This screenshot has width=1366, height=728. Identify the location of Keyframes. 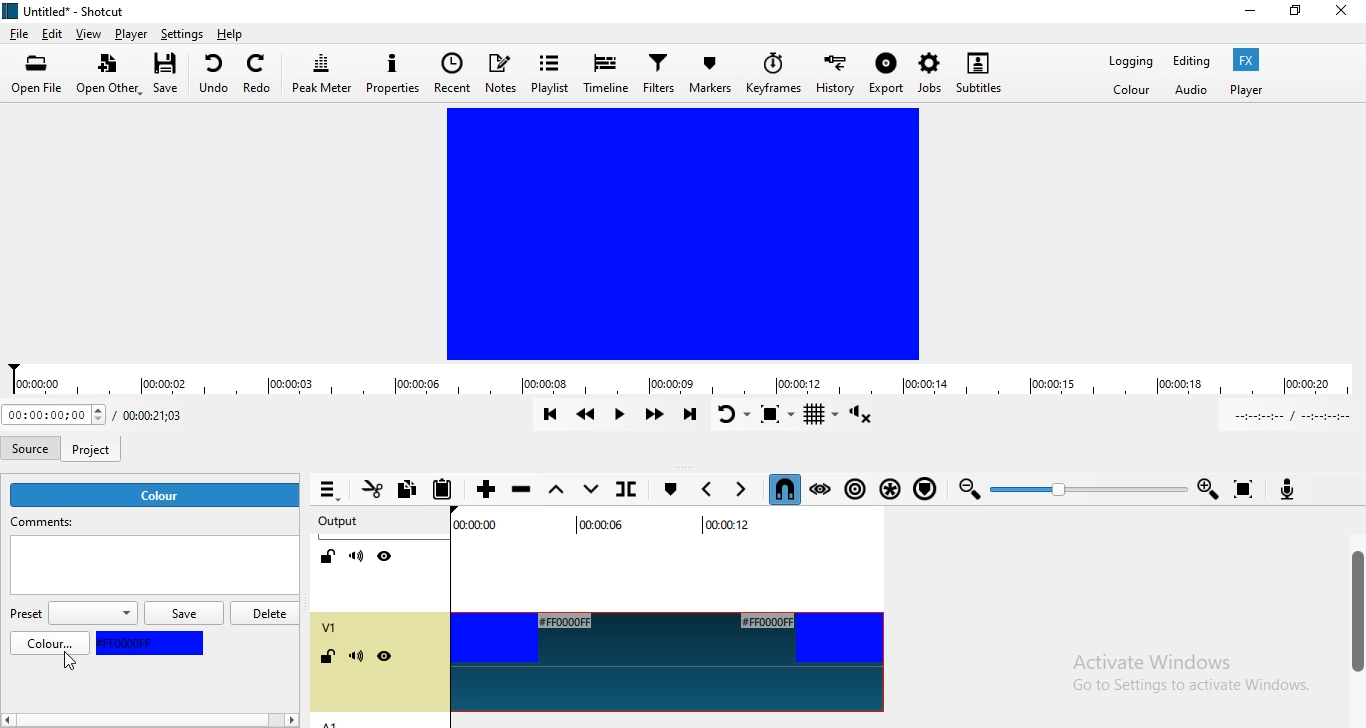
(774, 75).